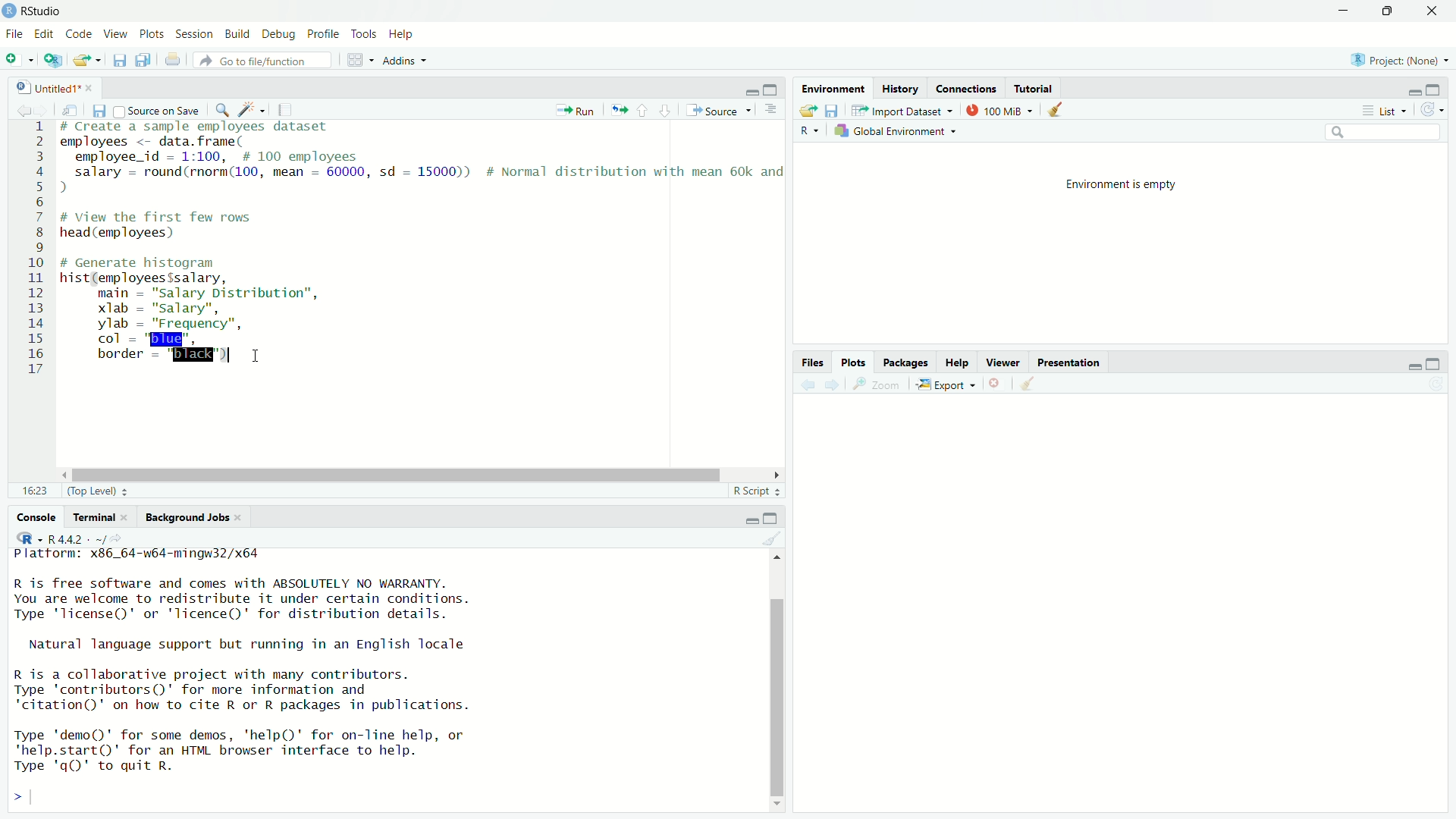 The height and width of the screenshot is (819, 1456). What do you see at coordinates (71, 110) in the screenshot?
I see `search documnet` at bounding box center [71, 110].